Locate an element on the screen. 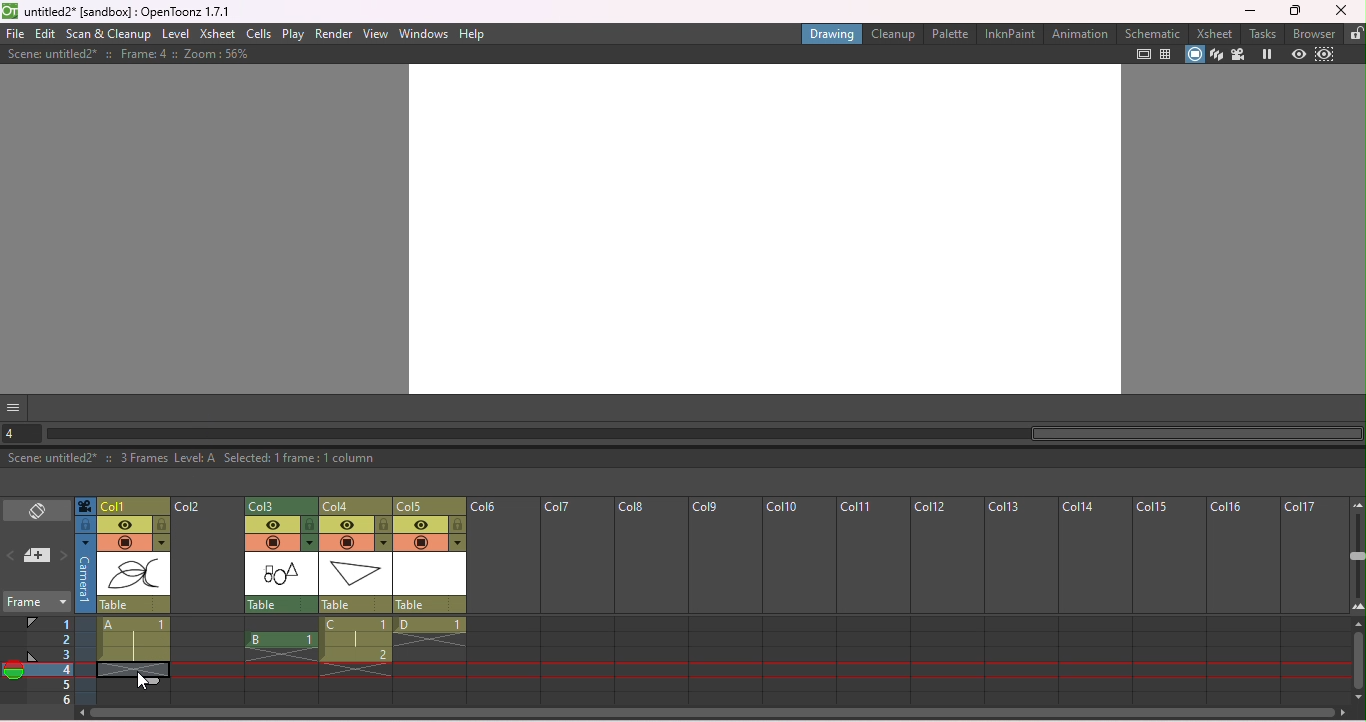 The width and height of the screenshot is (1366, 722). Camera view is located at coordinates (1238, 55).